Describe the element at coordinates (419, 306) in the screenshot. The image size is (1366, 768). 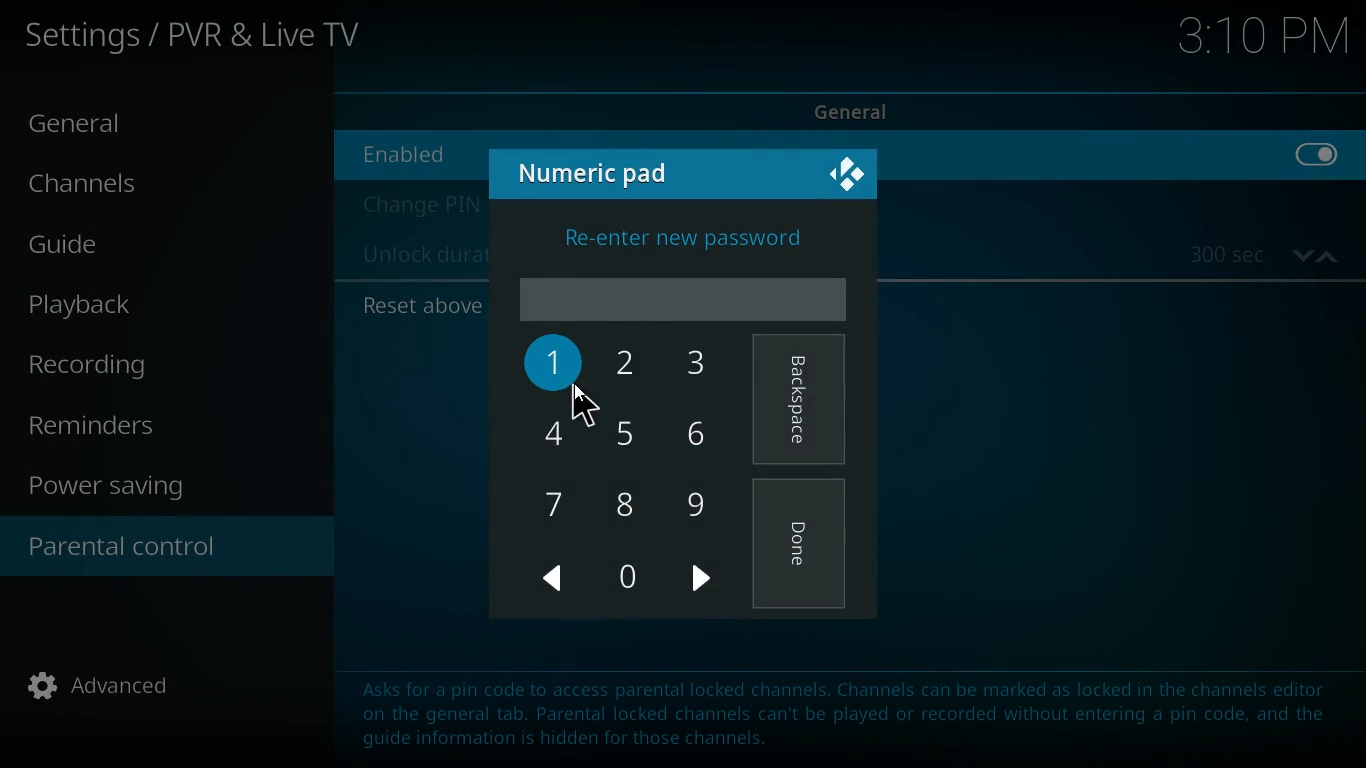
I see `reset` at that location.